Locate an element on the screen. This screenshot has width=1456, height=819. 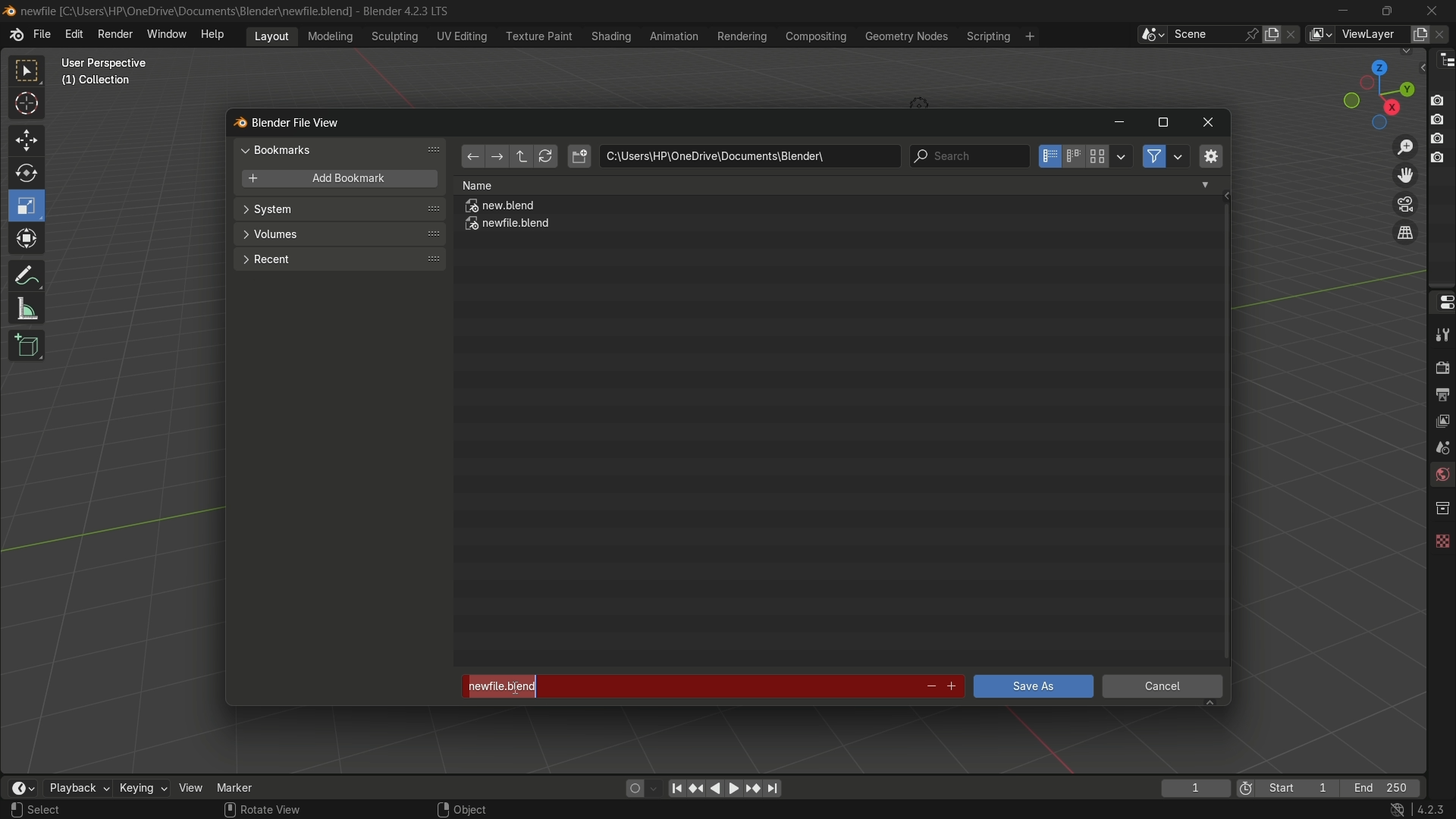
tools is located at coordinates (1441, 334).